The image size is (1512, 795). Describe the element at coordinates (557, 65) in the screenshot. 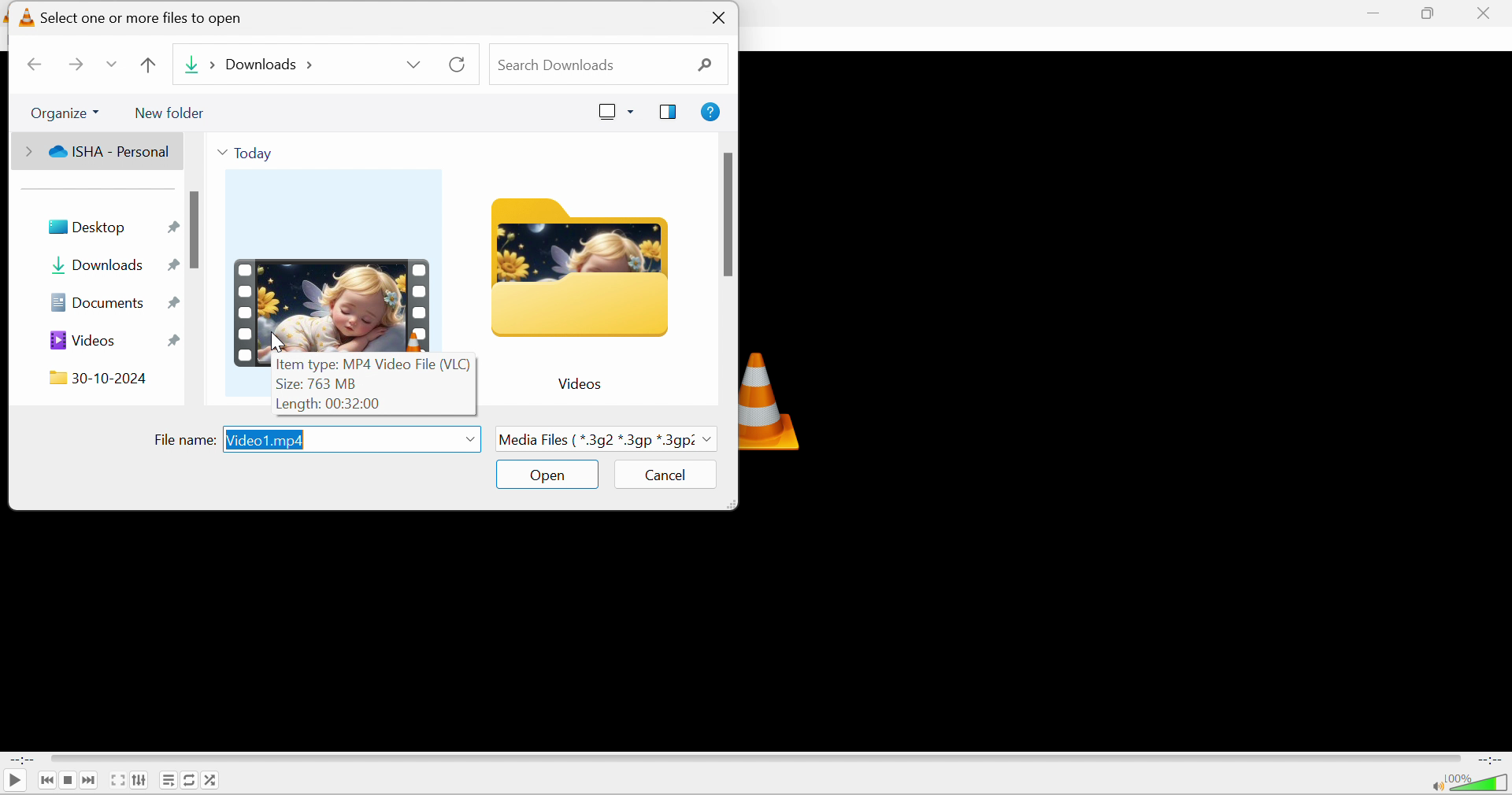

I see `Search downloads` at that location.